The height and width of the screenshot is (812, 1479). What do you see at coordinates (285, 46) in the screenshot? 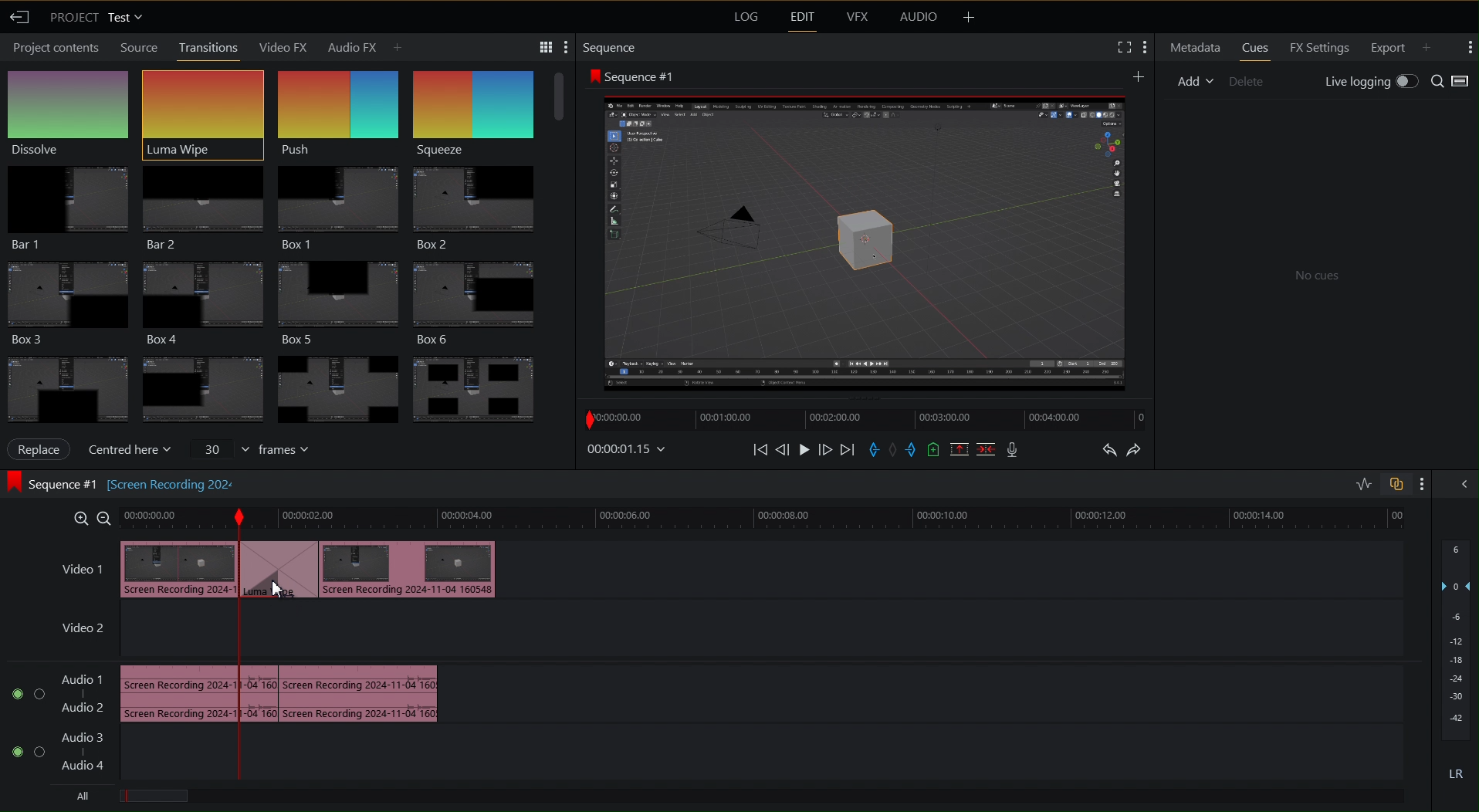
I see `Video FX` at bounding box center [285, 46].